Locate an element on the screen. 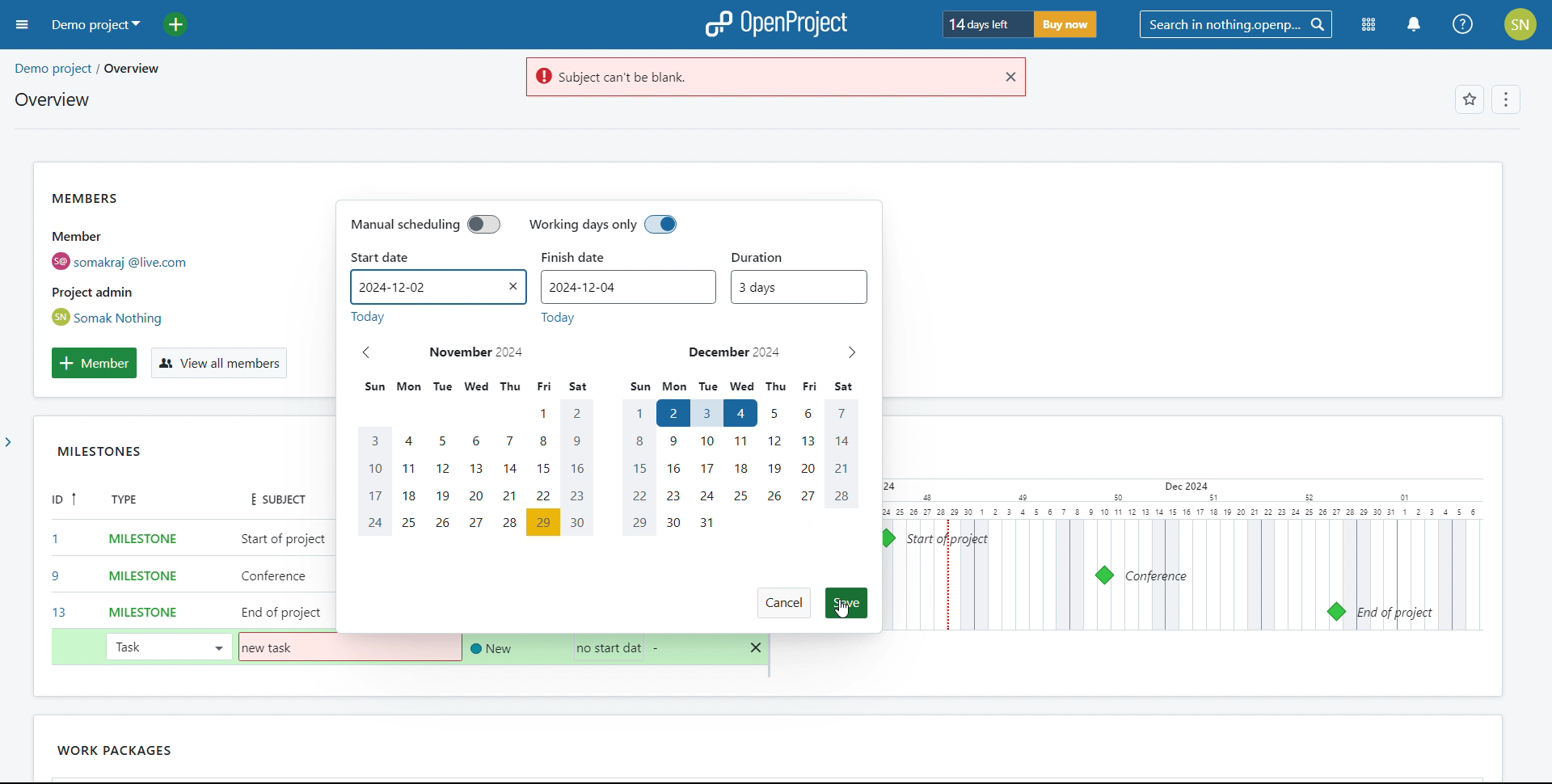  calendar dates is located at coordinates (604, 469).